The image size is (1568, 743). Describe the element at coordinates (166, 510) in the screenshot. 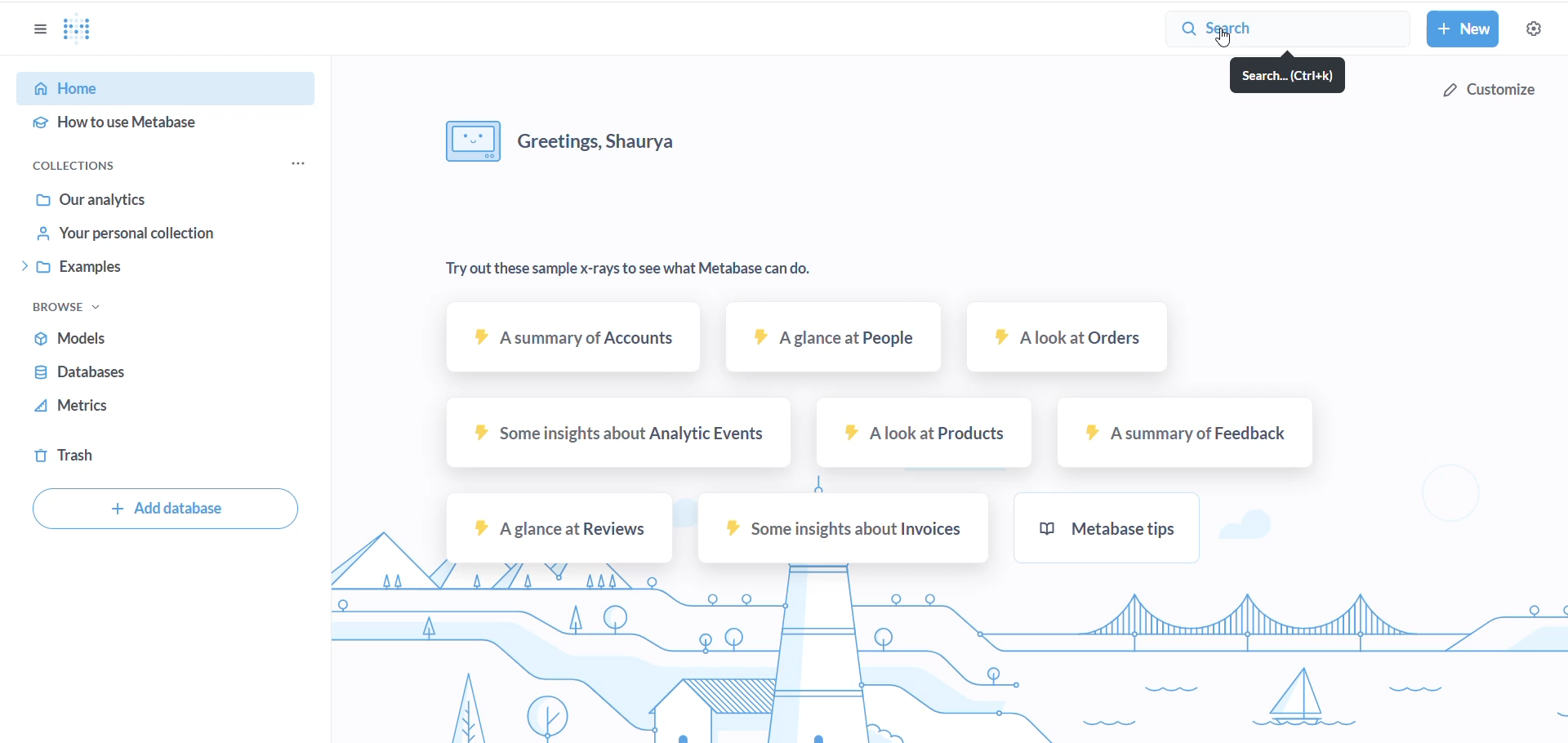

I see `add database` at that location.